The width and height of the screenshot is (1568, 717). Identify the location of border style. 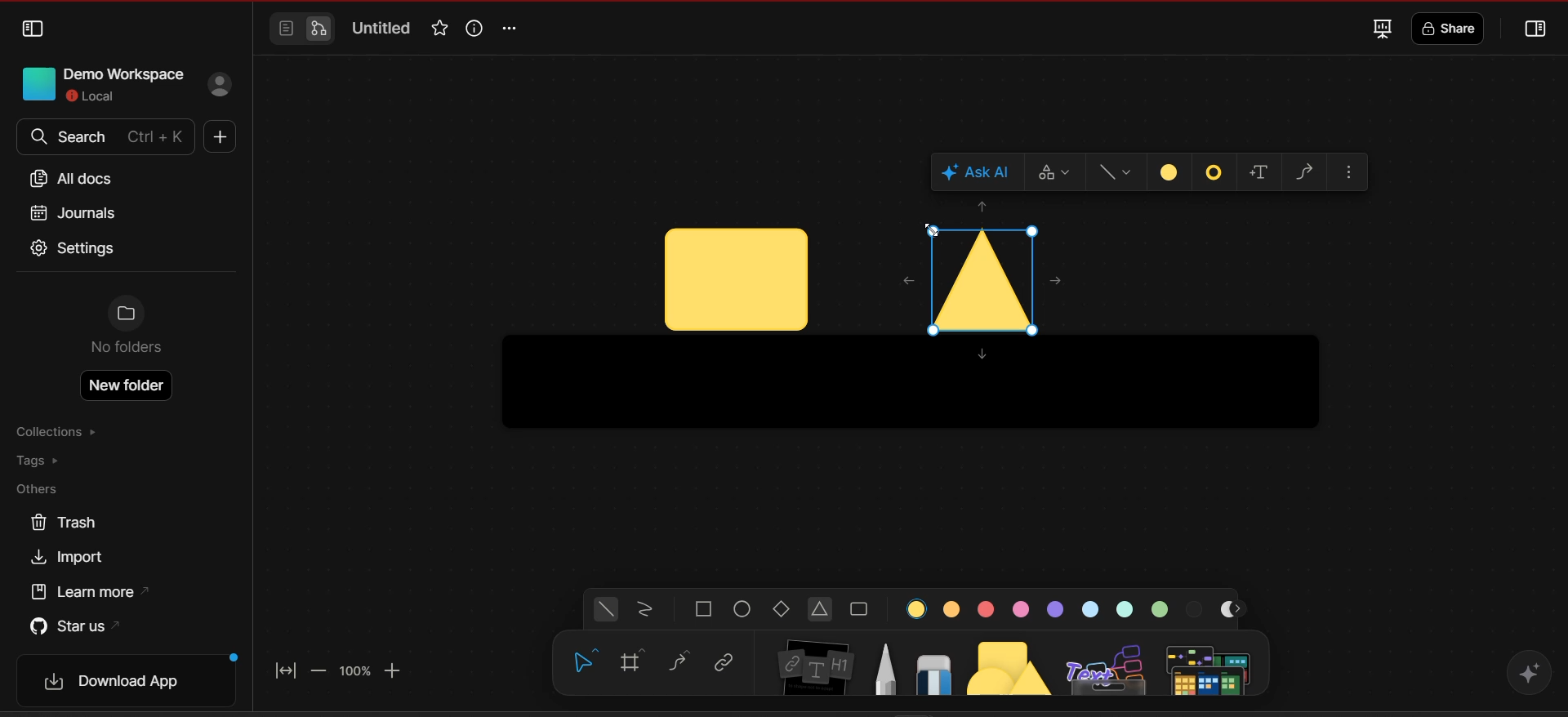
(1215, 174).